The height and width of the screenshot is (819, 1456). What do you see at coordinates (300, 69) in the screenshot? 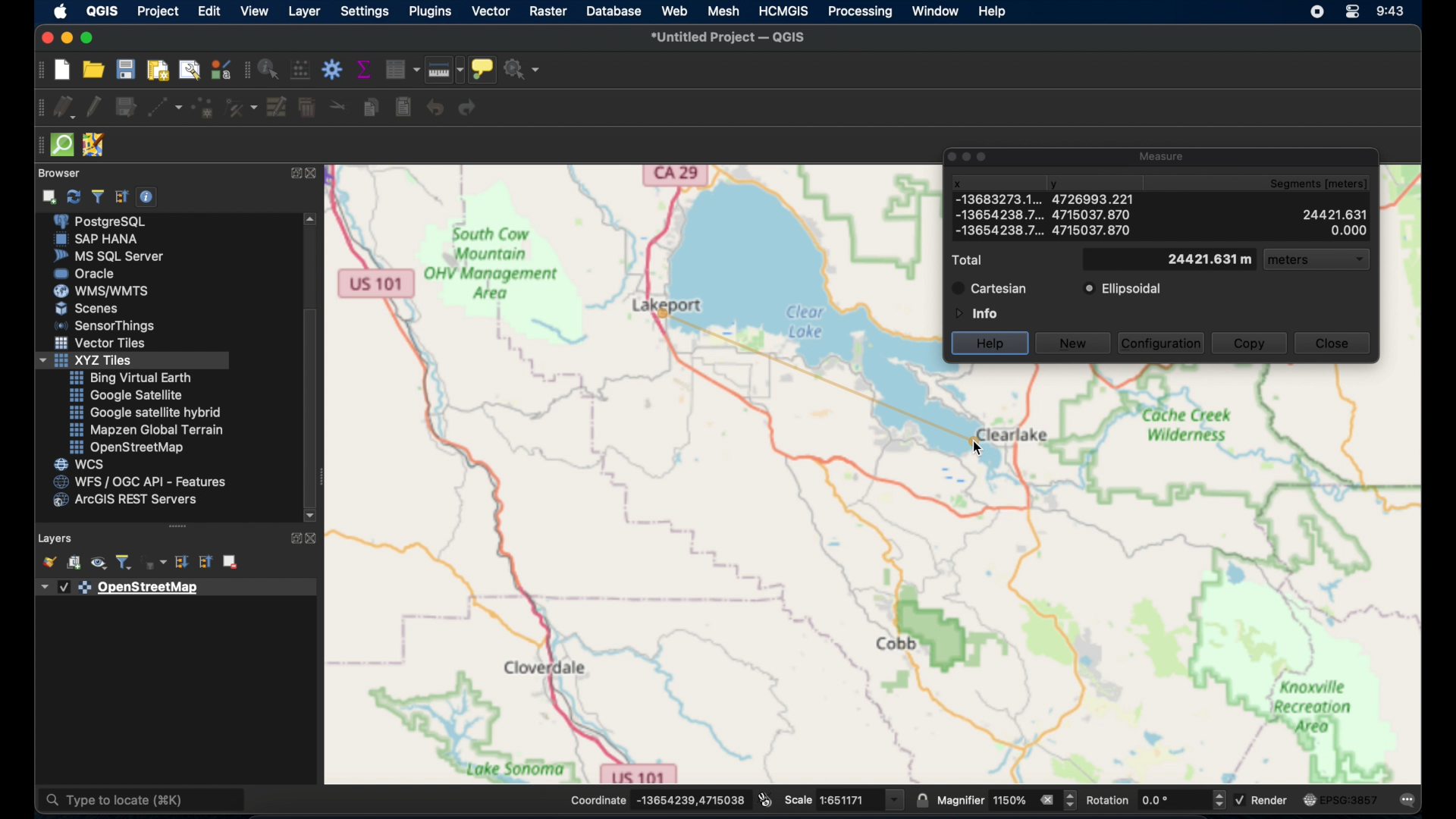
I see `open field calculator` at bounding box center [300, 69].